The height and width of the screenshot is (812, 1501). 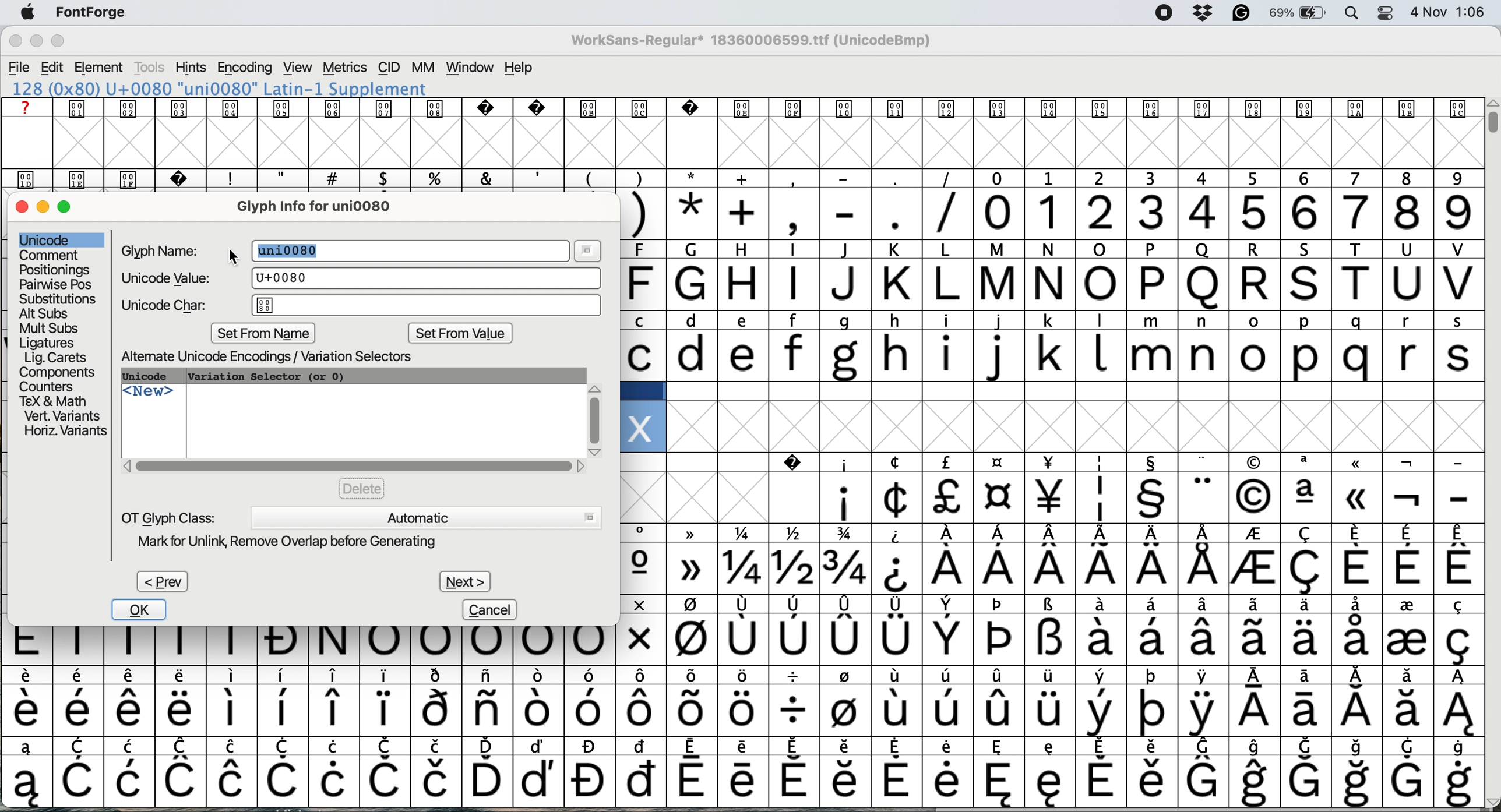 What do you see at coordinates (1053, 606) in the screenshot?
I see `special characters` at bounding box center [1053, 606].